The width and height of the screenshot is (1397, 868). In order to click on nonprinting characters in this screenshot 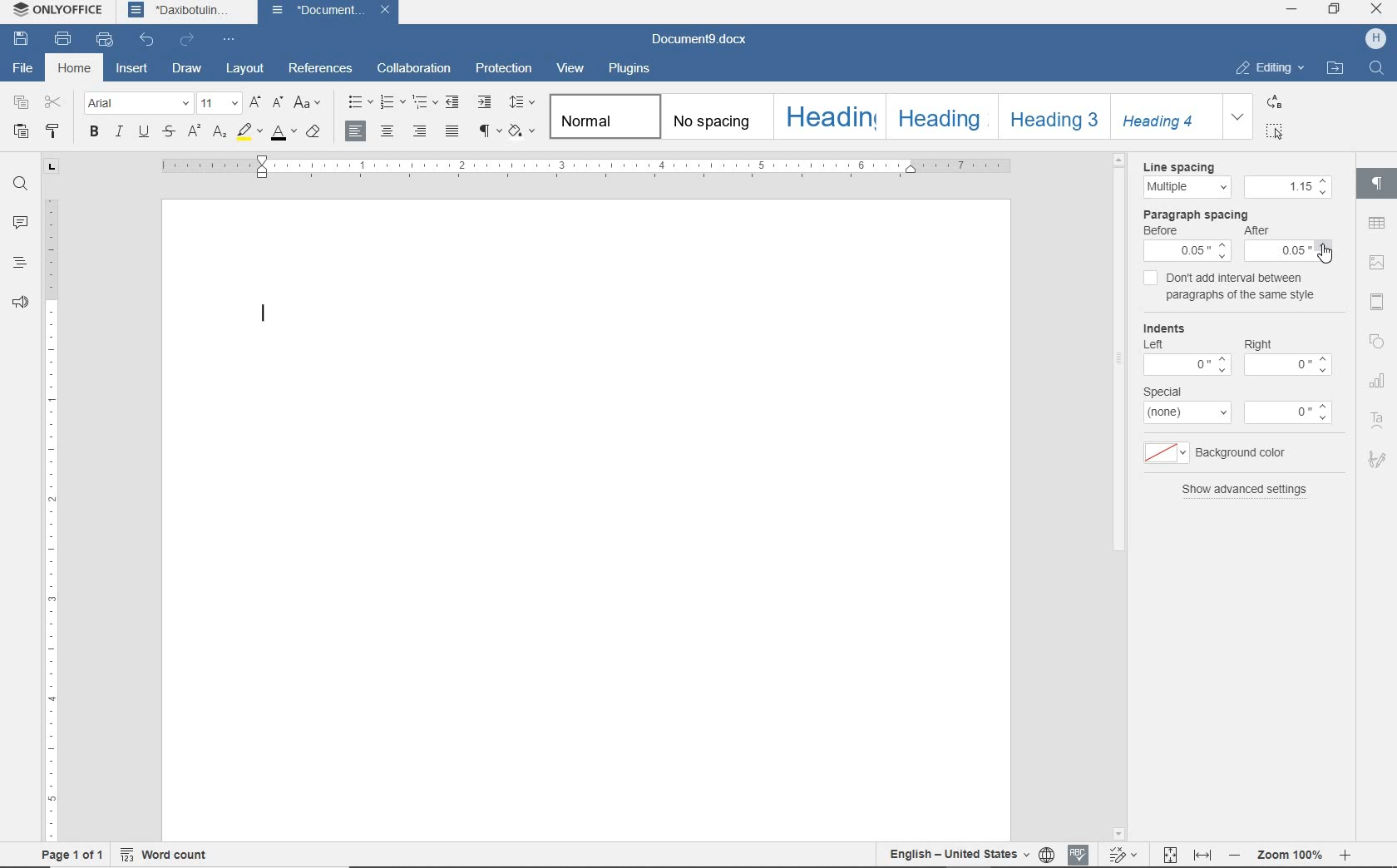, I will do `click(489, 133)`.